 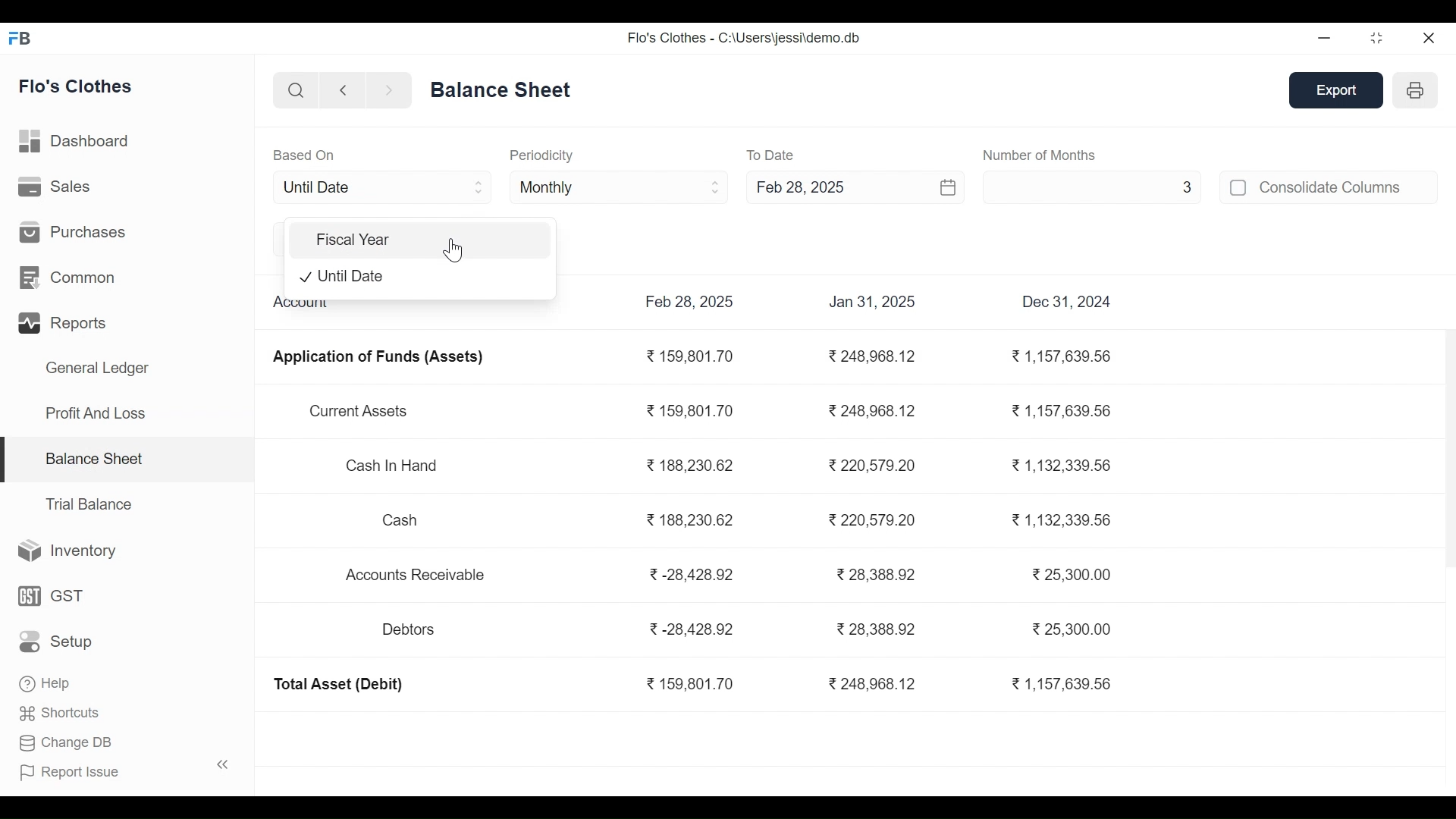 What do you see at coordinates (949, 187) in the screenshot?
I see `calendar` at bounding box center [949, 187].